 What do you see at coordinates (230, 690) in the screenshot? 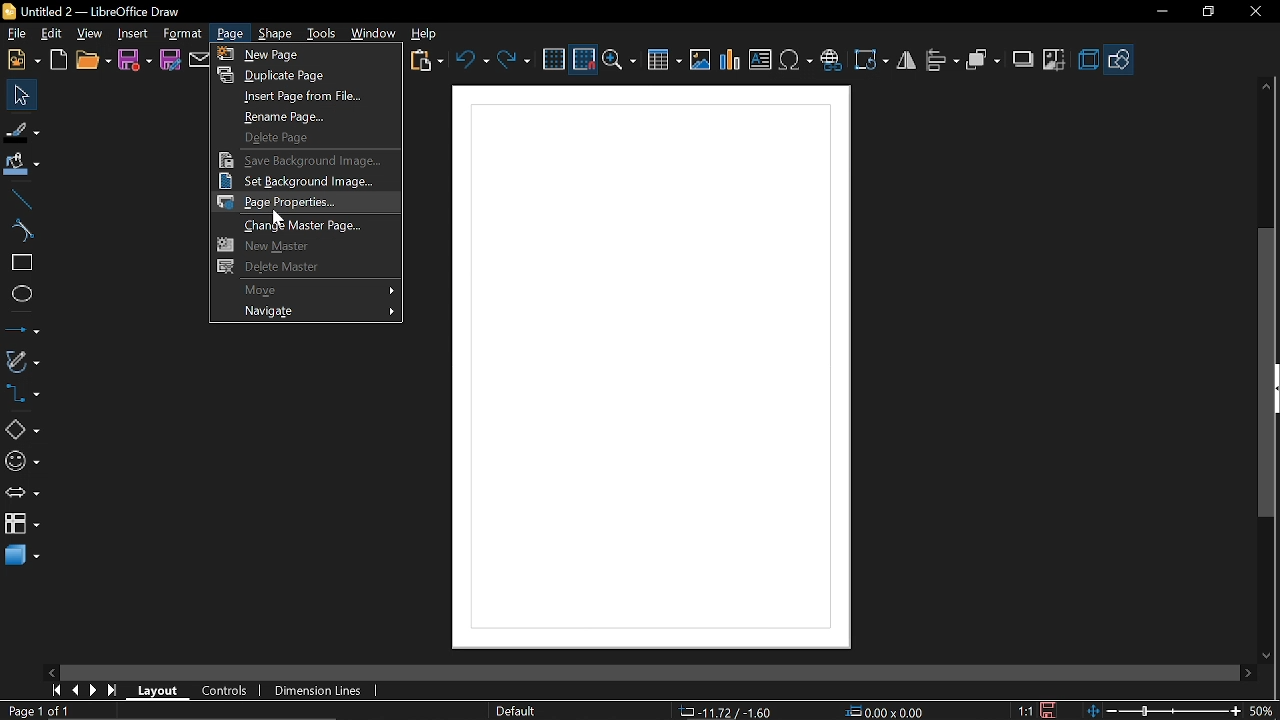
I see `COntrols` at bounding box center [230, 690].